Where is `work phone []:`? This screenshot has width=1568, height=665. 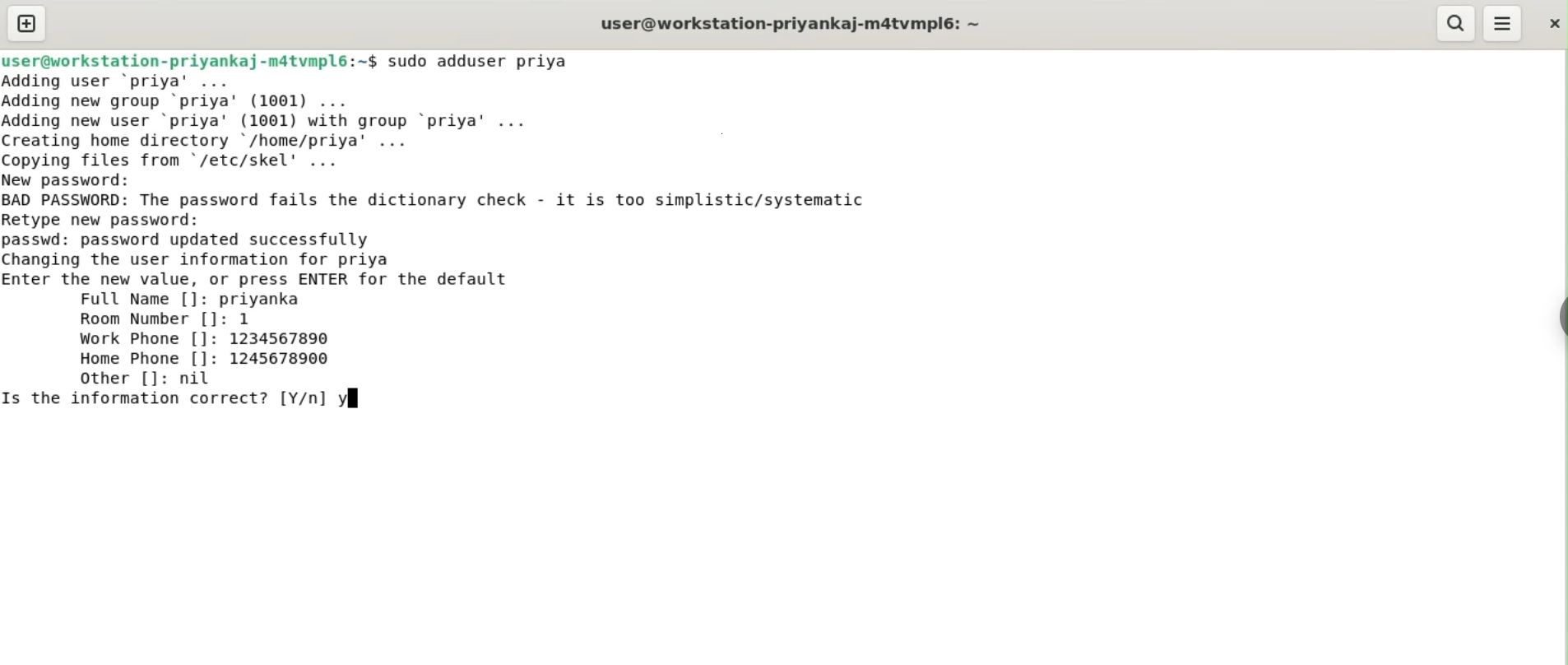
work phone []: is located at coordinates (141, 341).